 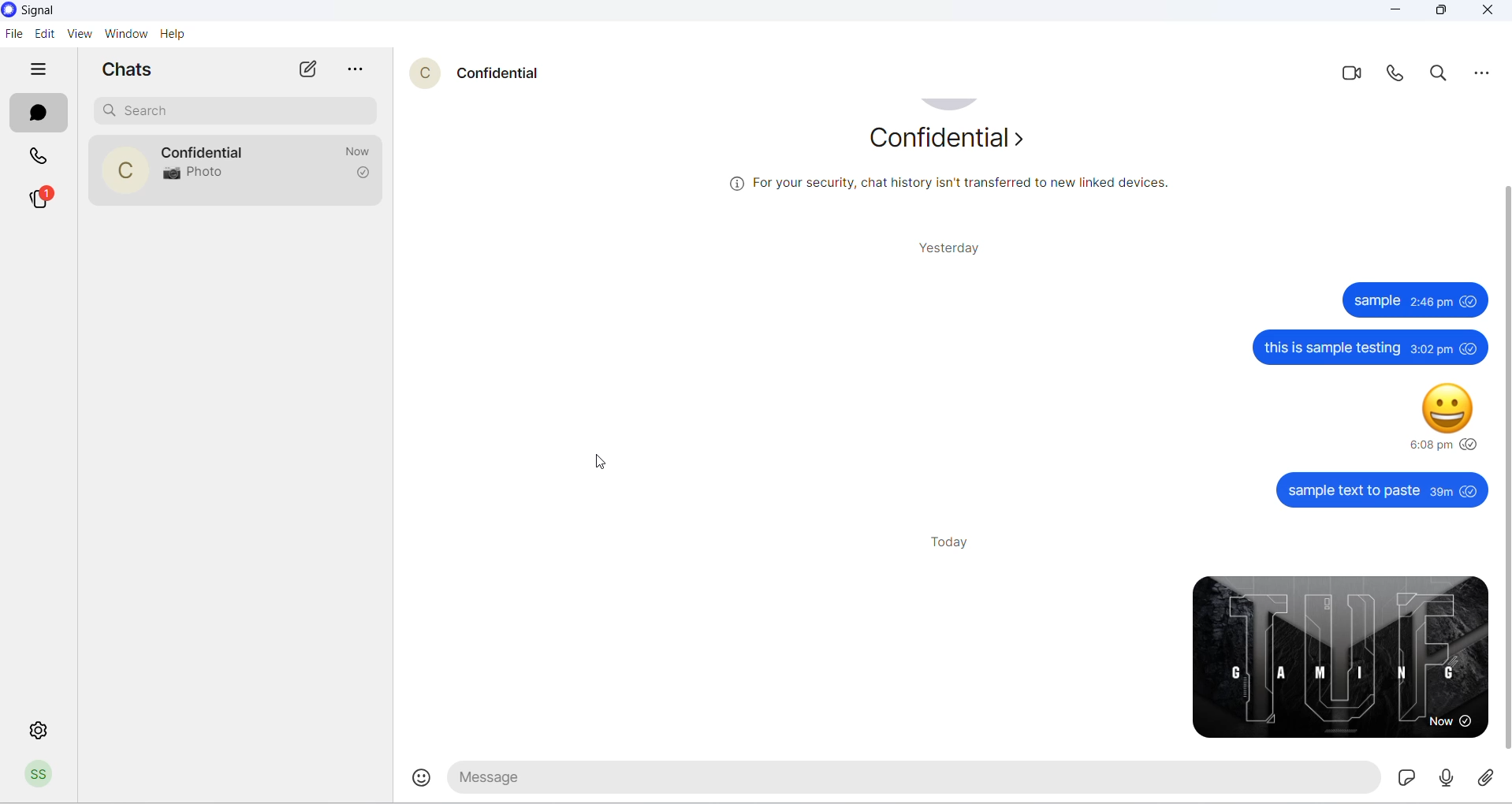 I want to click on message text area, so click(x=936, y=780).